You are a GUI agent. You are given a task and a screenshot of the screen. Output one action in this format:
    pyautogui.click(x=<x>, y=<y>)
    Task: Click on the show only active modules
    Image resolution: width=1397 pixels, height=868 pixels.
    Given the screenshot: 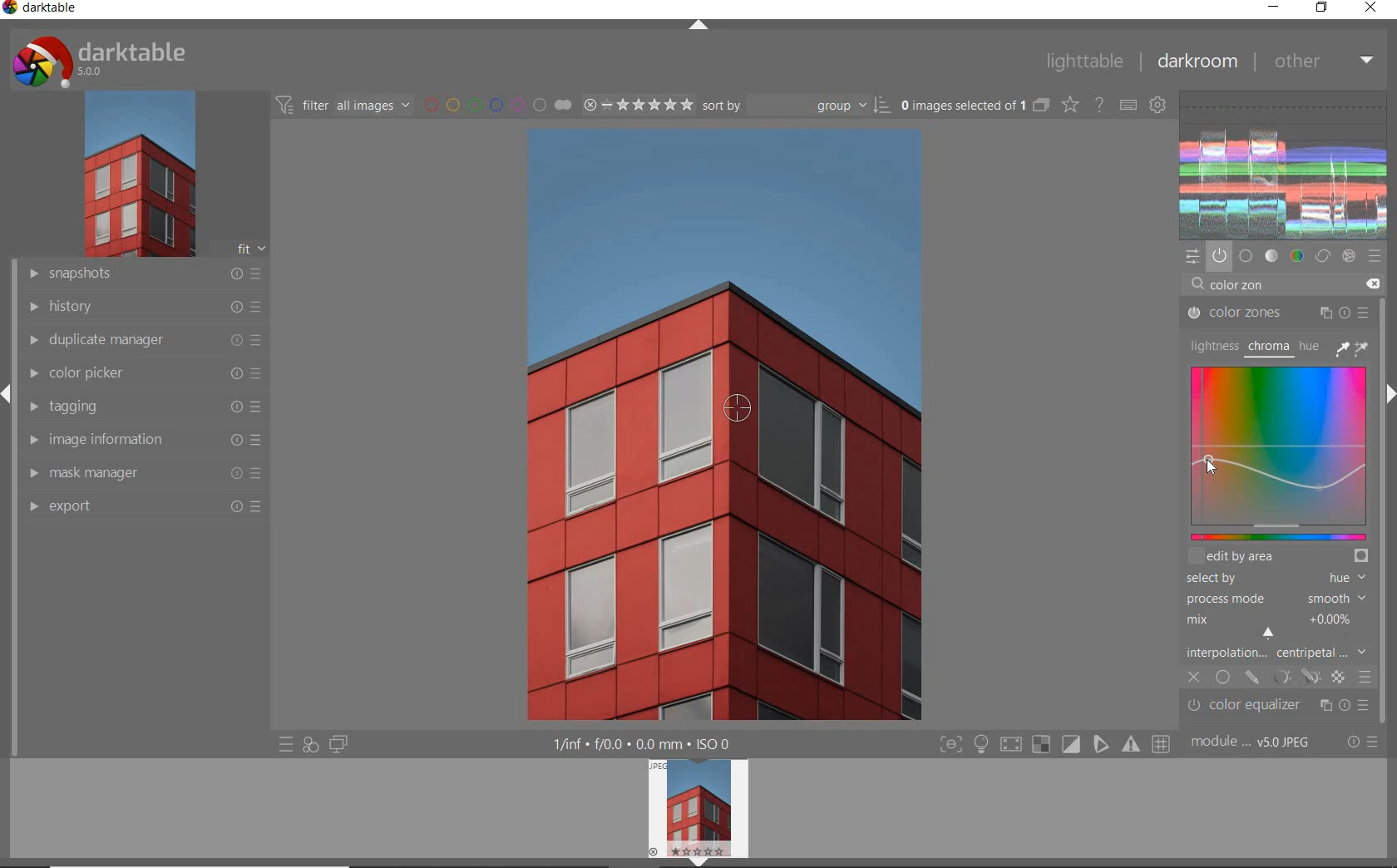 What is the action you would take?
    pyautogui.click(x=1219, y=255)
    